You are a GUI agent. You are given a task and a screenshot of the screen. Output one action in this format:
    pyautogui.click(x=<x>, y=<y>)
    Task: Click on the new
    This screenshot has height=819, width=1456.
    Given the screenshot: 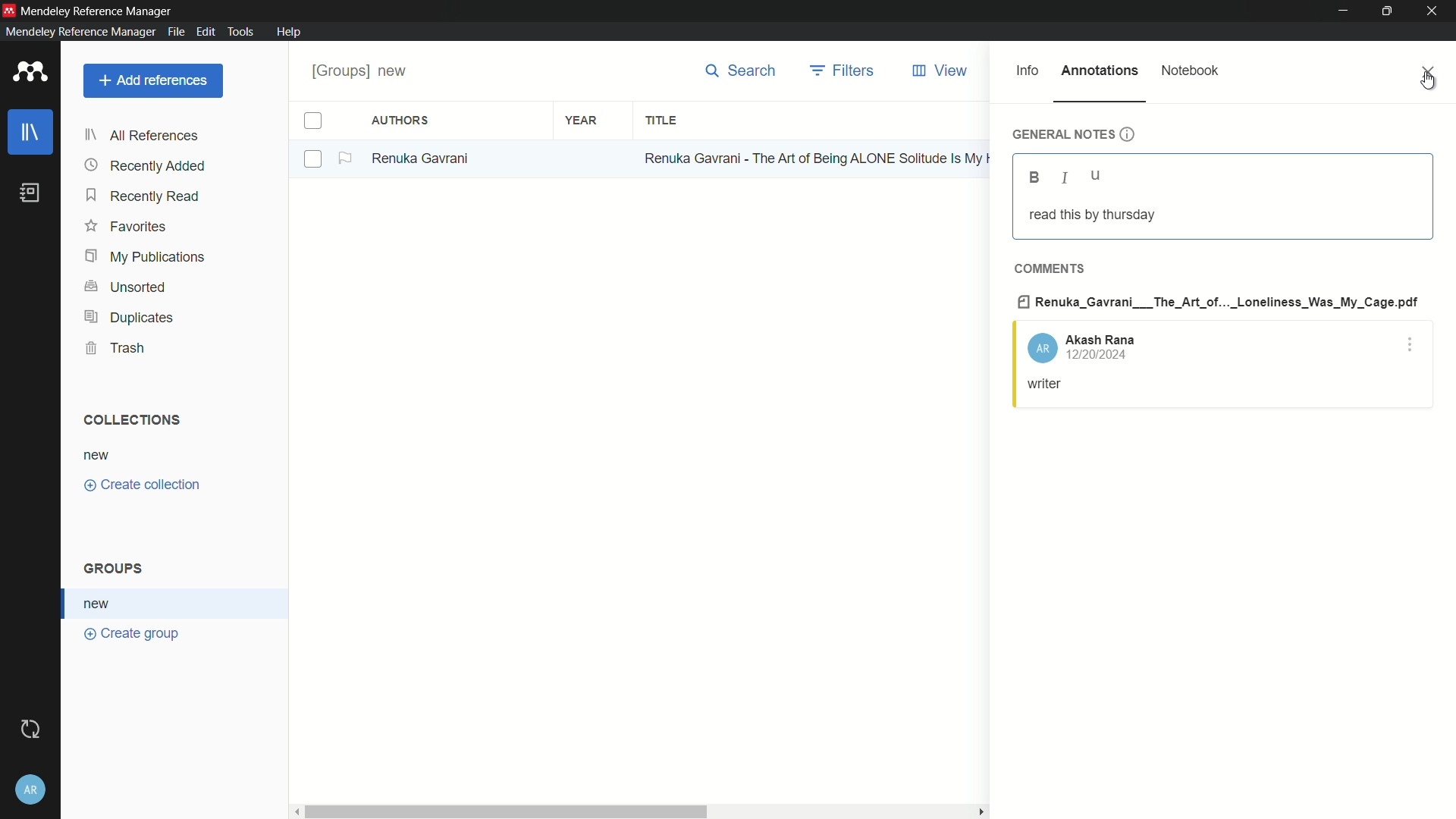 What is the action you would take?
    pyautogui.click(x=101, y=604)
    